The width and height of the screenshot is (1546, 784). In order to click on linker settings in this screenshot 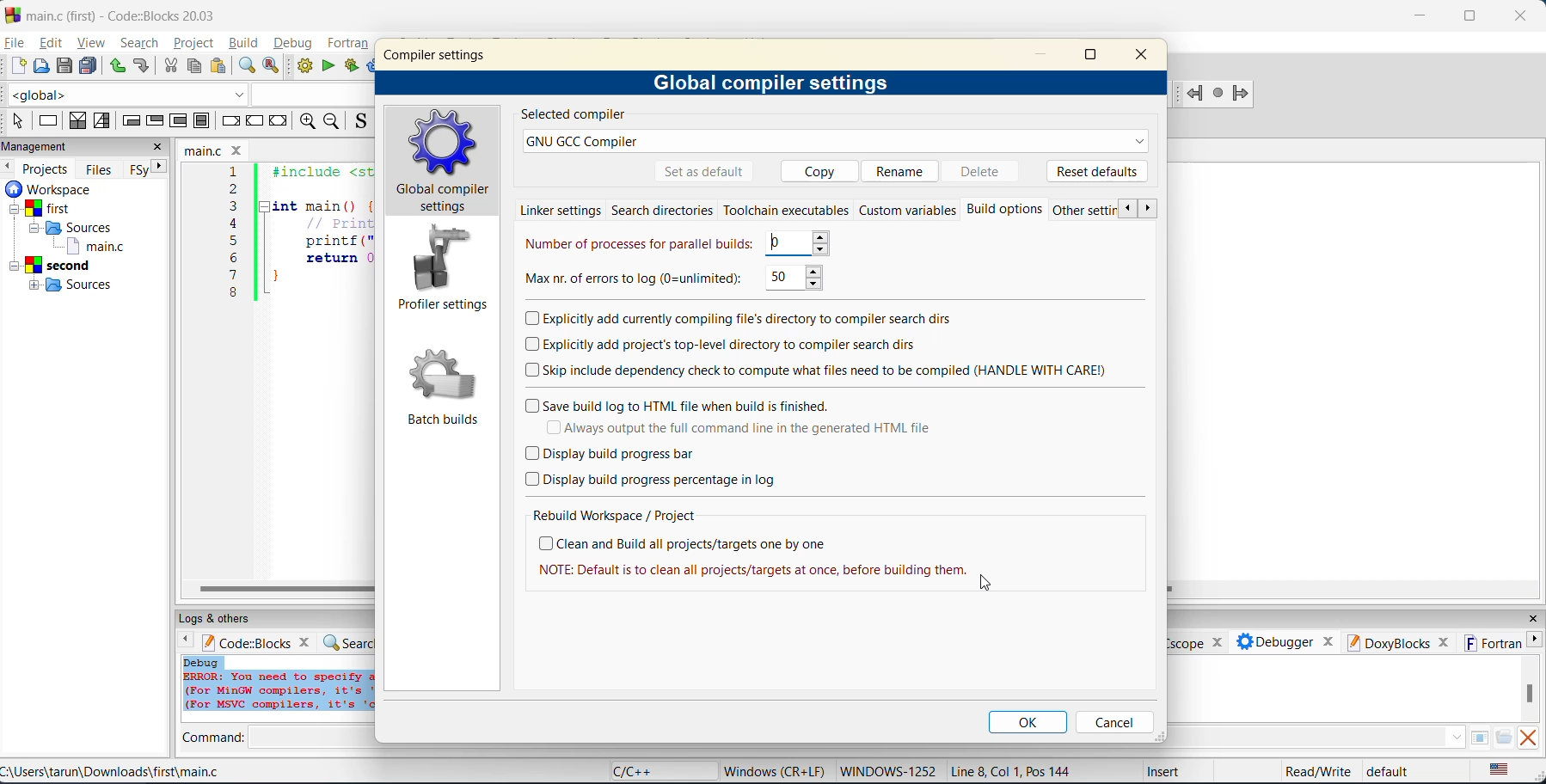, I will do `click(561, 209)`.